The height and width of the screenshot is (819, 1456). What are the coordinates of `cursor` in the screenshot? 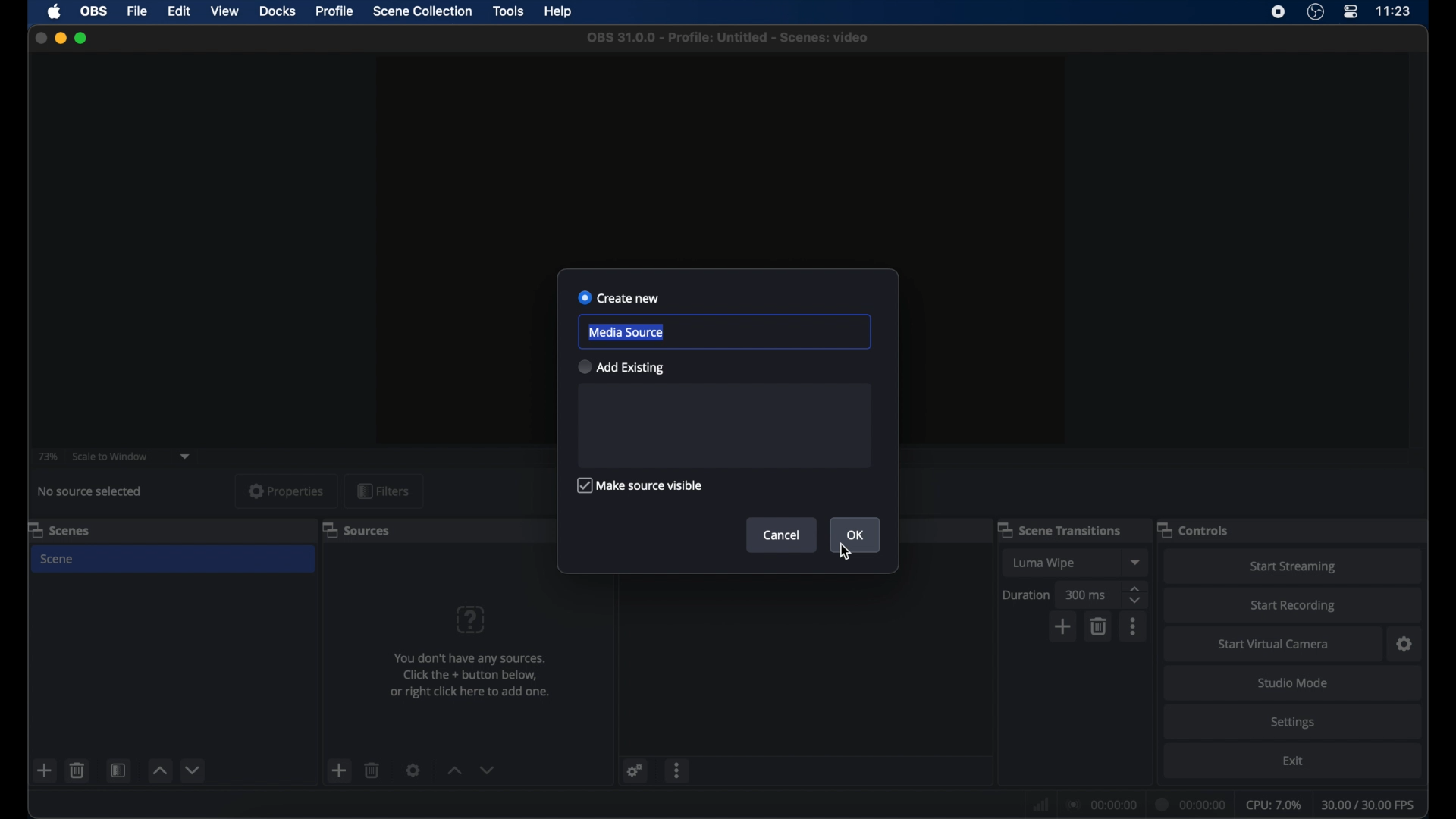 It's located at (846, 554).